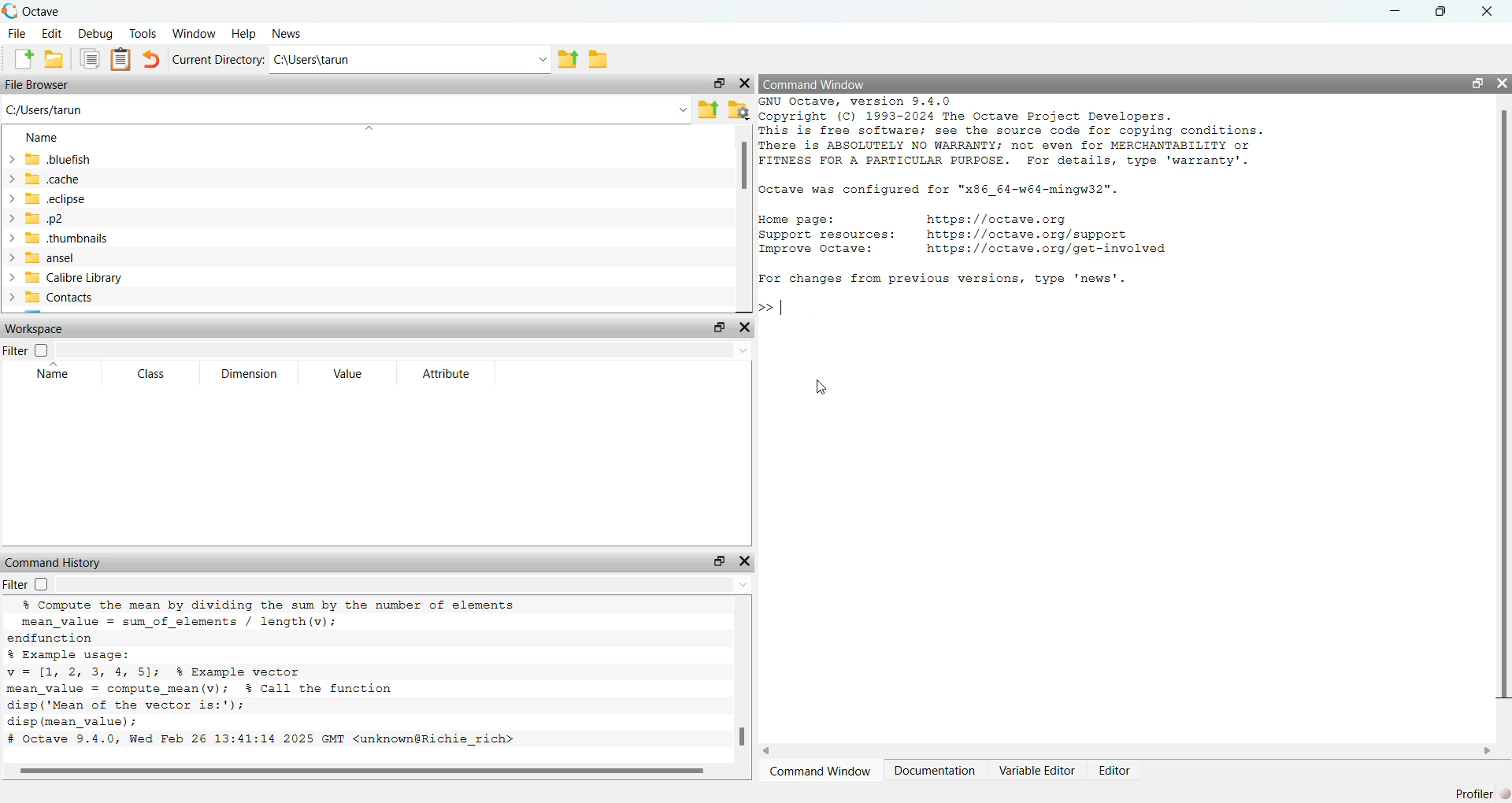 This screenshot has width=1512, height=803. Describe the element at coordinates (249, 373) in the screenshot. I see `Dimension` at that location.